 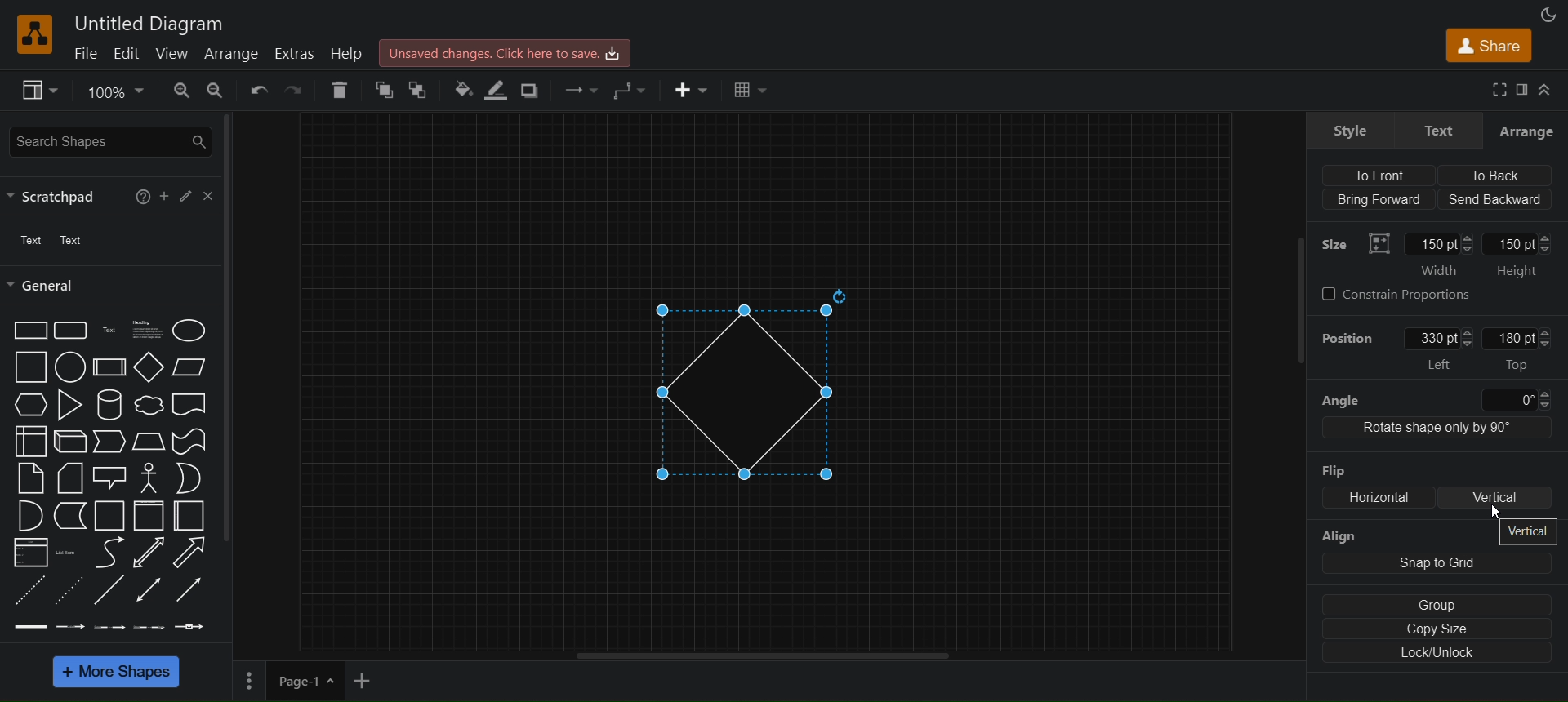 What do you see at coordinates (189, 193) in the screenshot?
I see `edit` at bounding box center [189, 193].